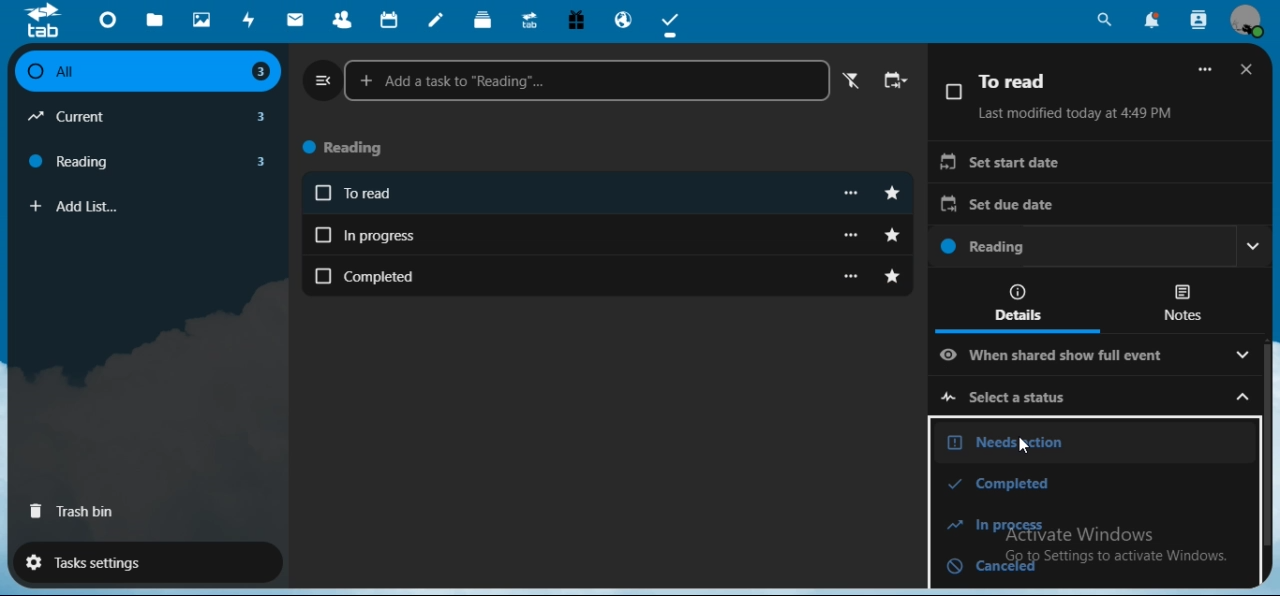 The height and width of the screenshot is (596, 1280). What do you see at coordinates (1096, 206) in the screenshot?
I see `set due date` at bounding box center [1096, 206].